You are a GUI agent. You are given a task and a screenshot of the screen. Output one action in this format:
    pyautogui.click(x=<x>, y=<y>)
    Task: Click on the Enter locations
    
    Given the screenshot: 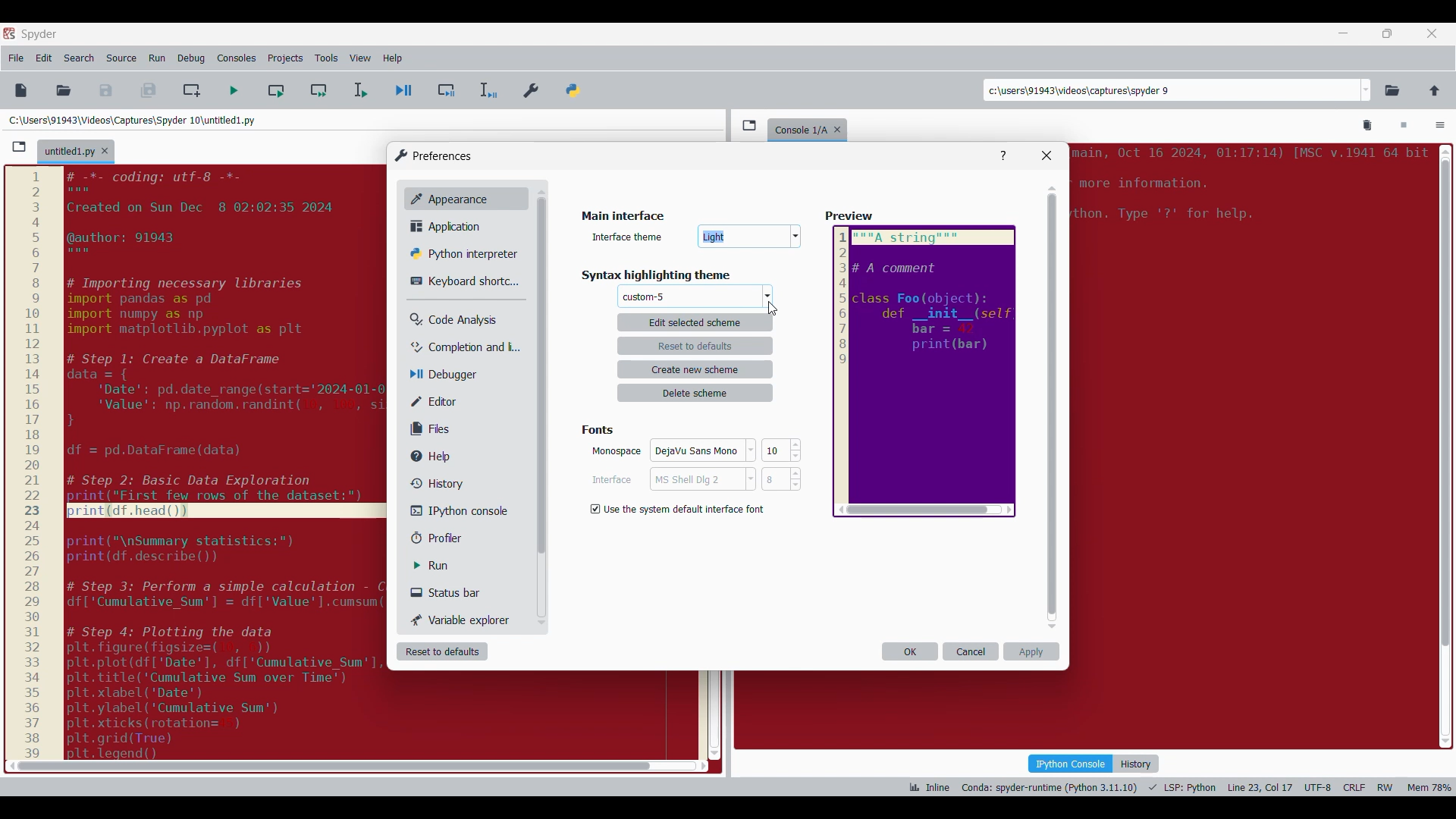 What is the action you would take?
    pyautogui.click(x=1171, y=90)
    